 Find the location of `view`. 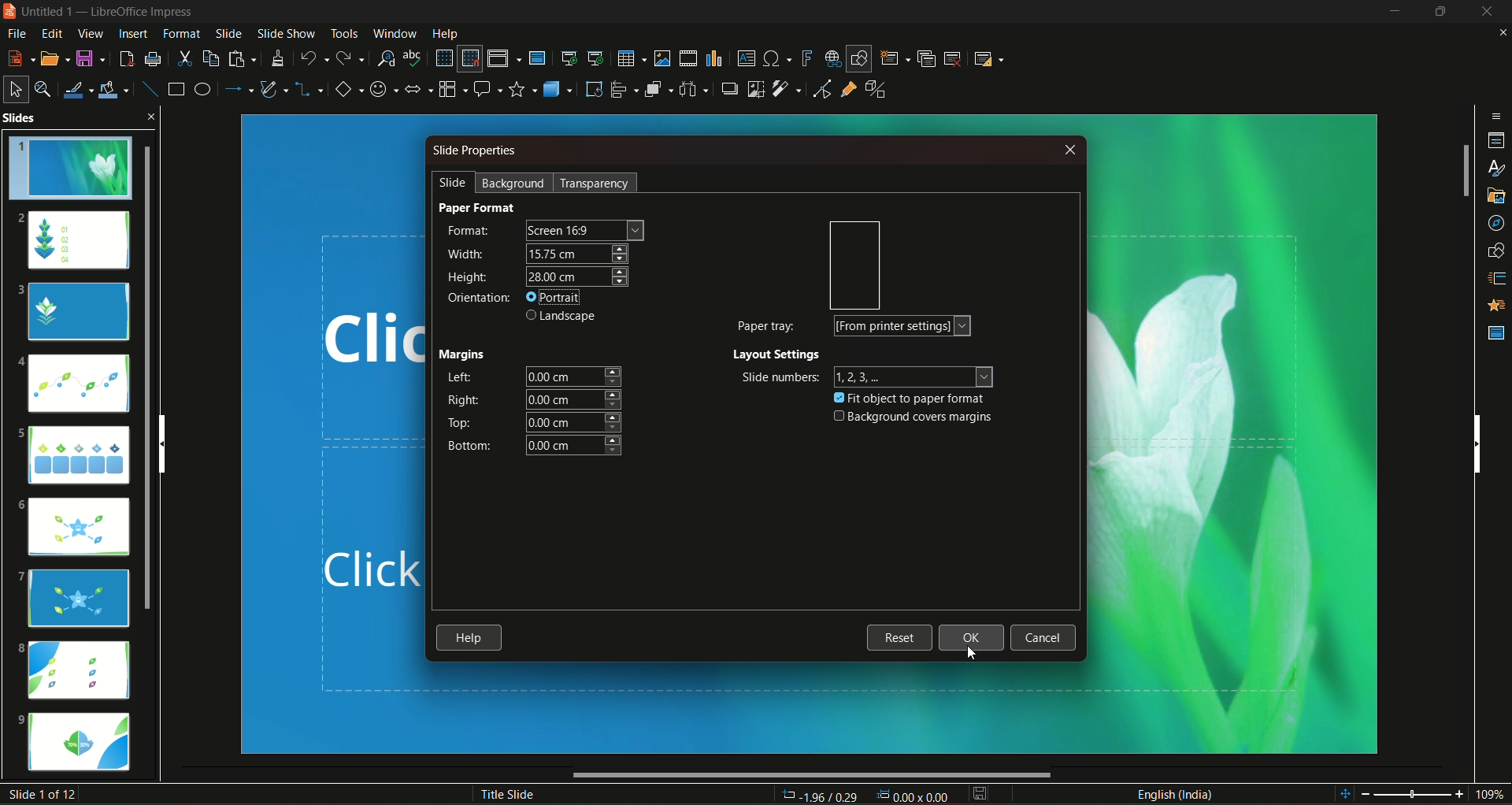

view is located at coordinates (88, 34).